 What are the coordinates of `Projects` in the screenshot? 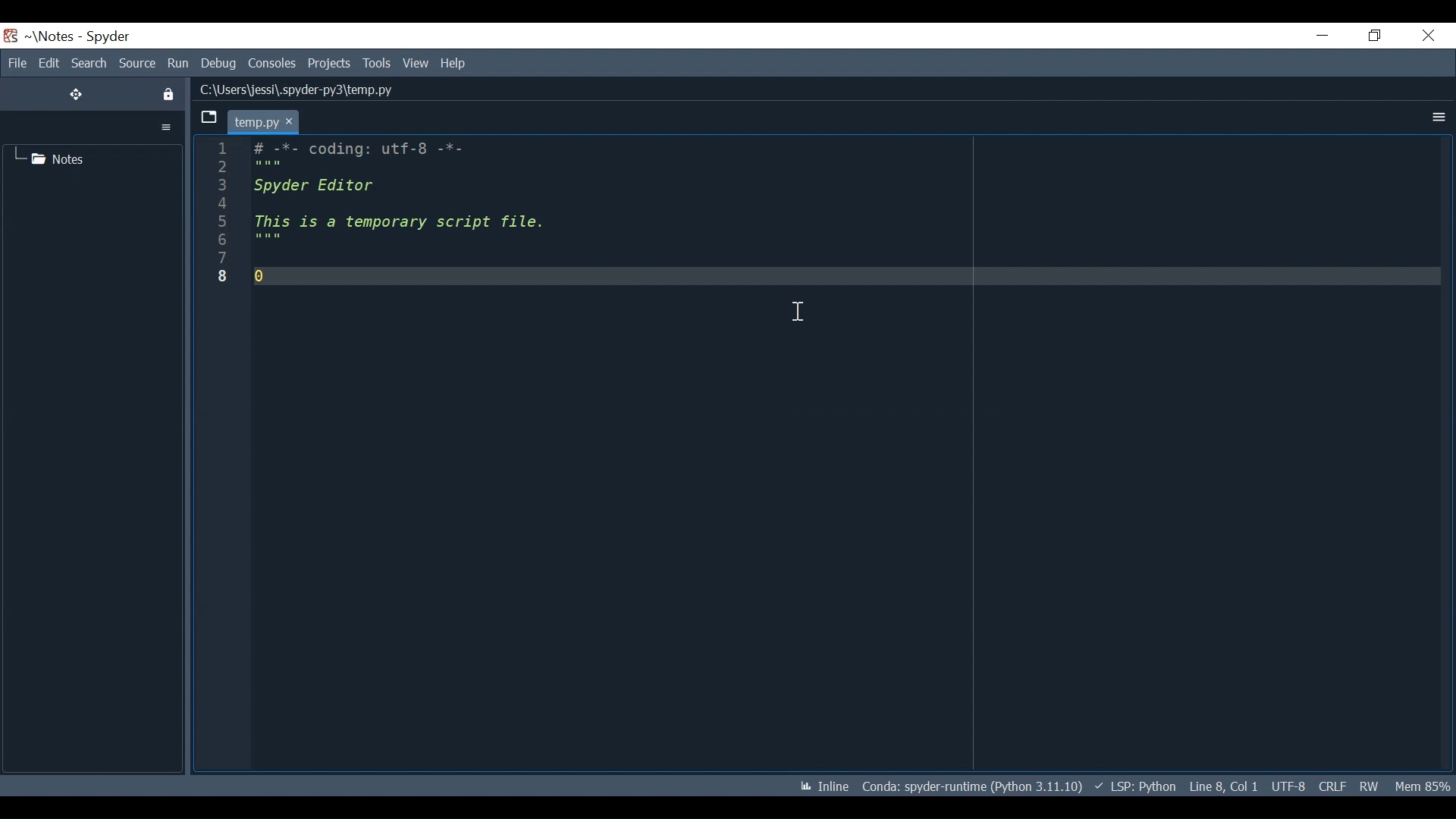 It's located at (330, 64).